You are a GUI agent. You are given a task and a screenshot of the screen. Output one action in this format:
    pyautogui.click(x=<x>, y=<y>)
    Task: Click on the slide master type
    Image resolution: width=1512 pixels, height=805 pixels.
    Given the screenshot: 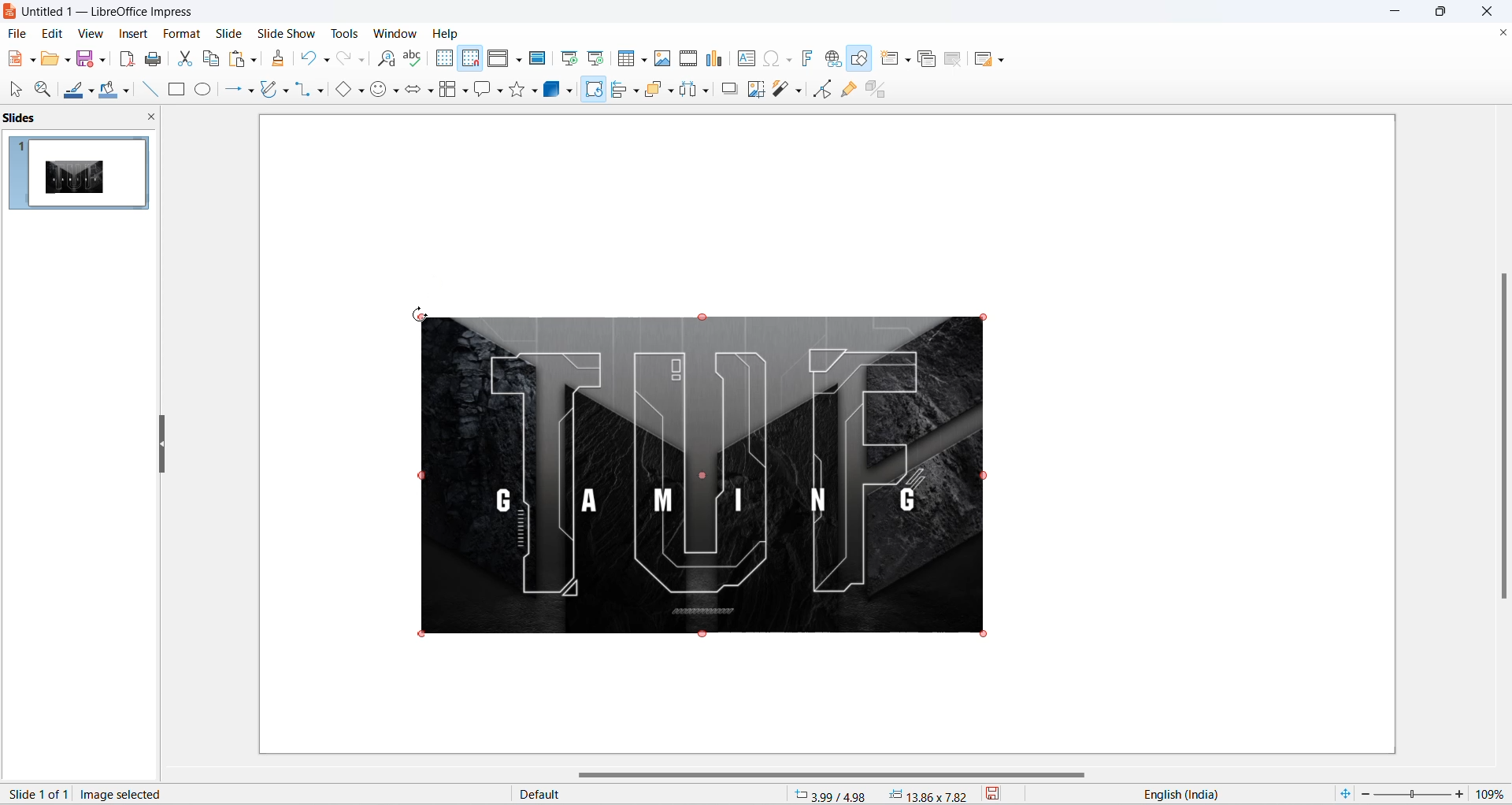 What is the action you would take?
    pyautogui.click(x=651, y=795)
    